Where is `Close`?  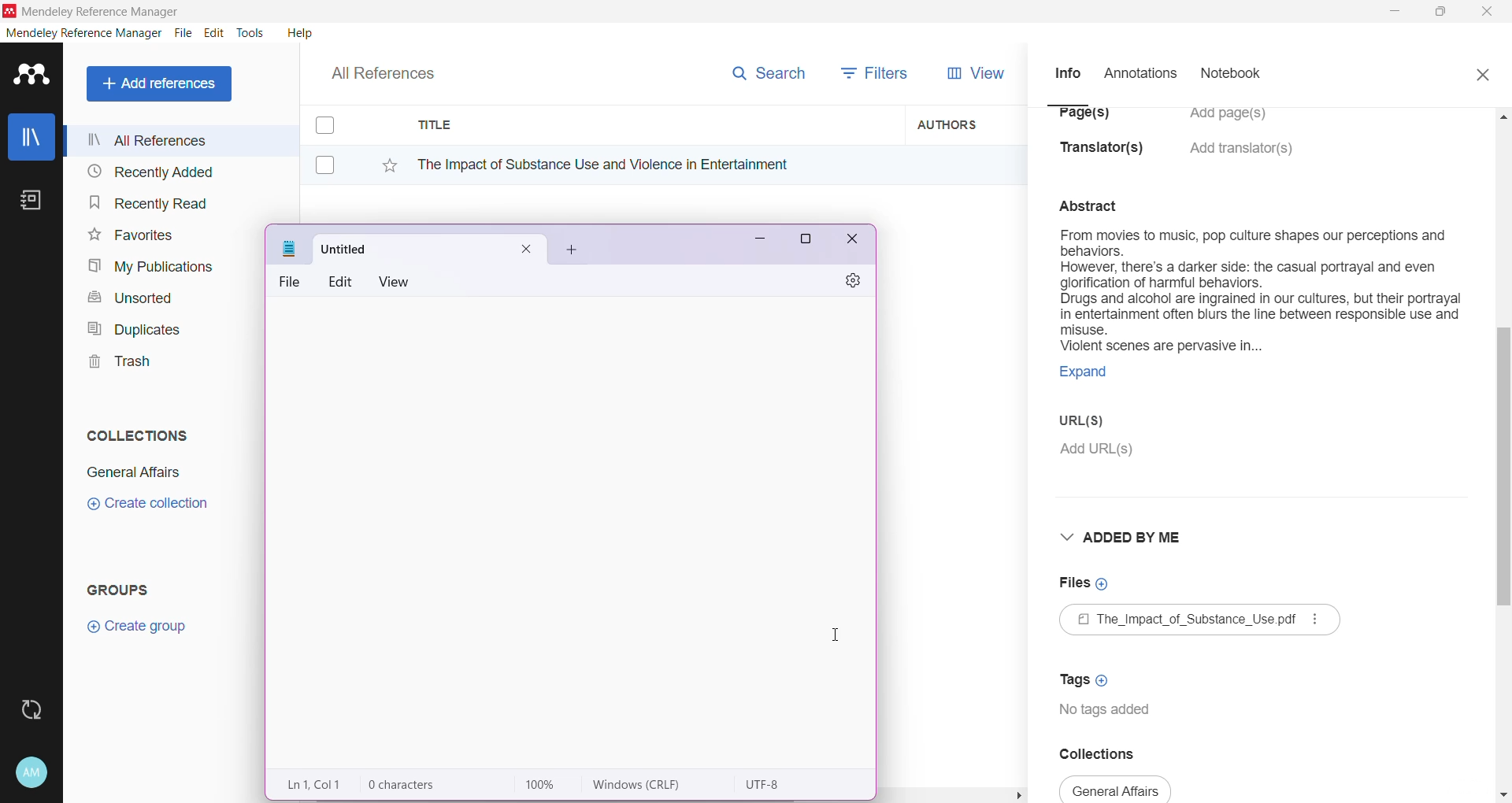 Close is located at coordinates (1482, 72).